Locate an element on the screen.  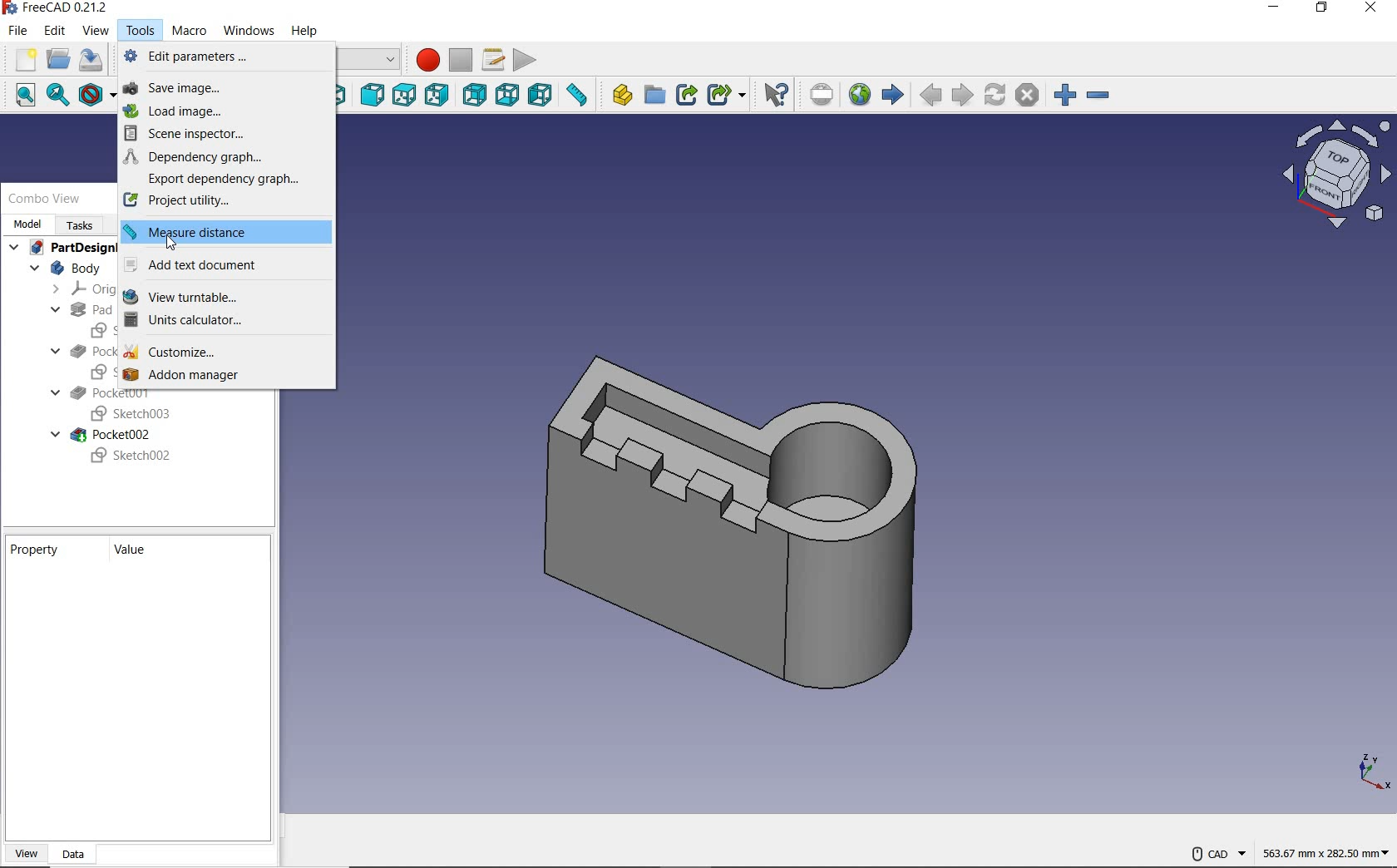
ruler is located at coordinates (576, 97).